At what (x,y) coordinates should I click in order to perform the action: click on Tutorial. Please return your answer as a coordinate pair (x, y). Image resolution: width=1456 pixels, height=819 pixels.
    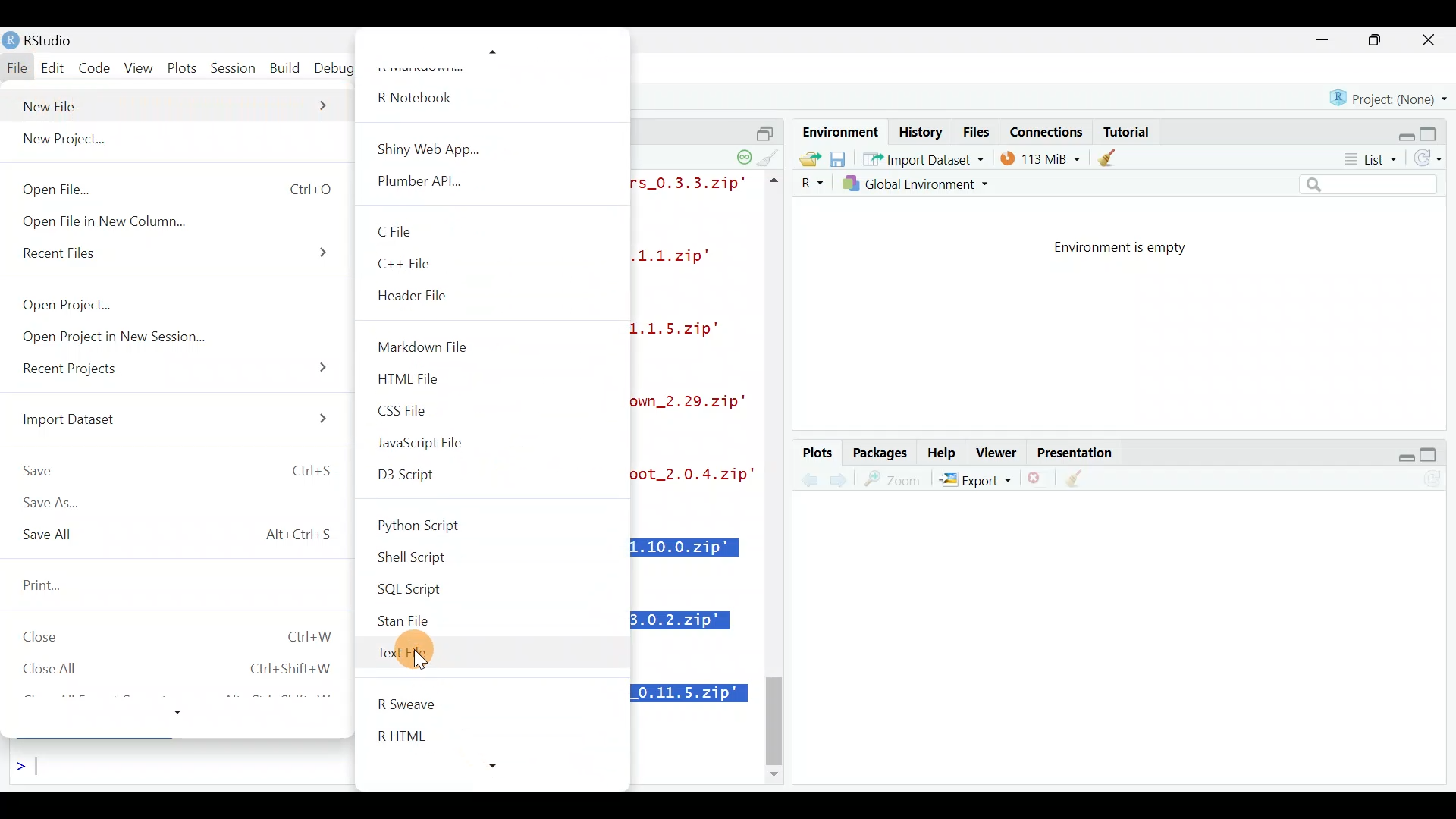
    Looking at the image, I should click on (1125, 129).